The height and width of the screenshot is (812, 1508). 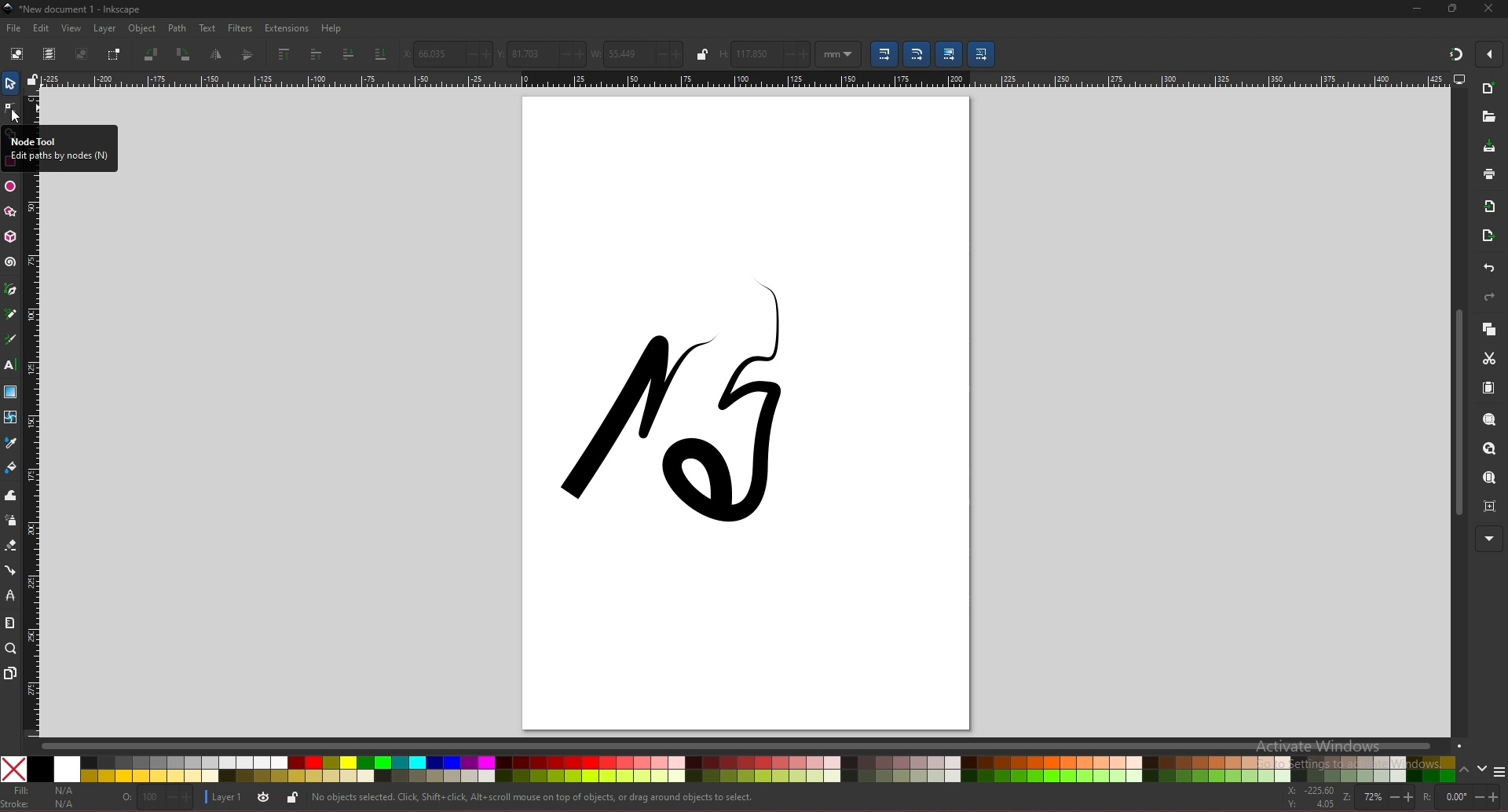 I want to click on resize, so click(x=1453, y=9).